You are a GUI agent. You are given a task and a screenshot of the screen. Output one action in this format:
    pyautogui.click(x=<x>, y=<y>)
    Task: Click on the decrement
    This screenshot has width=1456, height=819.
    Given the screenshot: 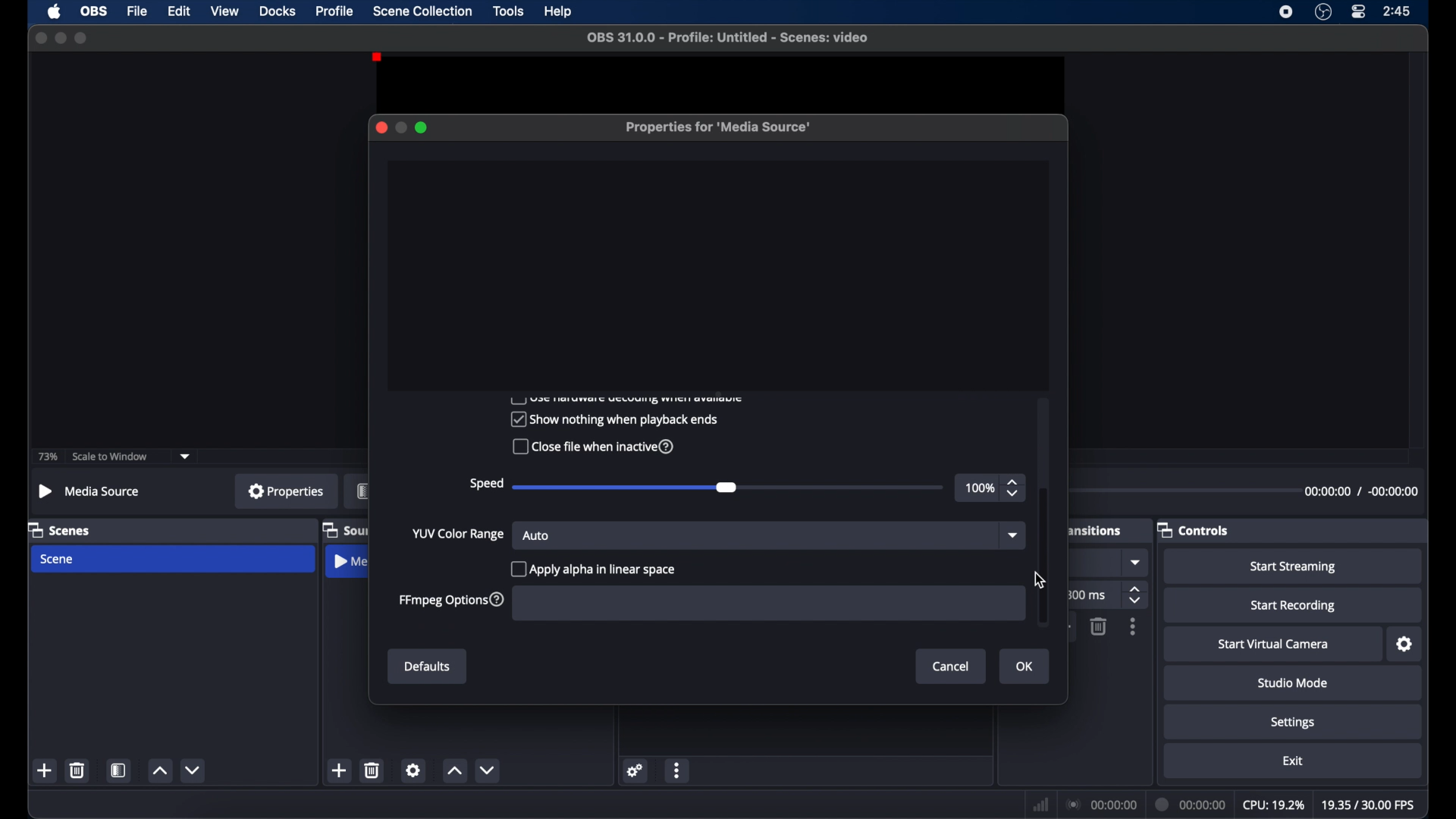 What is the action you would take?
    pyautogui.click(x=194, y=770)
    